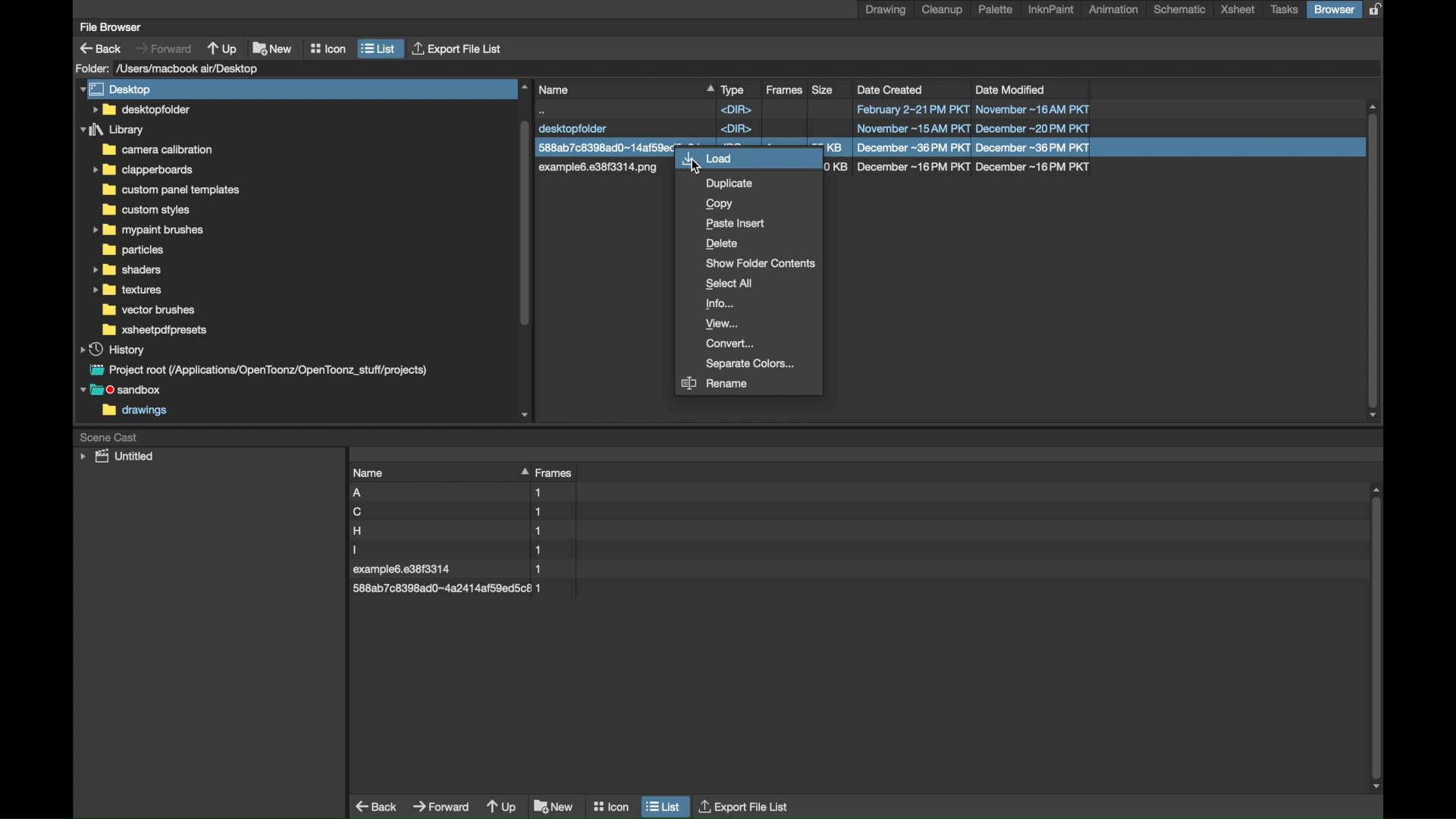 Image resolution: width=1456 pixels, height=819 pixels. I want to click on back, so click(378, 806).